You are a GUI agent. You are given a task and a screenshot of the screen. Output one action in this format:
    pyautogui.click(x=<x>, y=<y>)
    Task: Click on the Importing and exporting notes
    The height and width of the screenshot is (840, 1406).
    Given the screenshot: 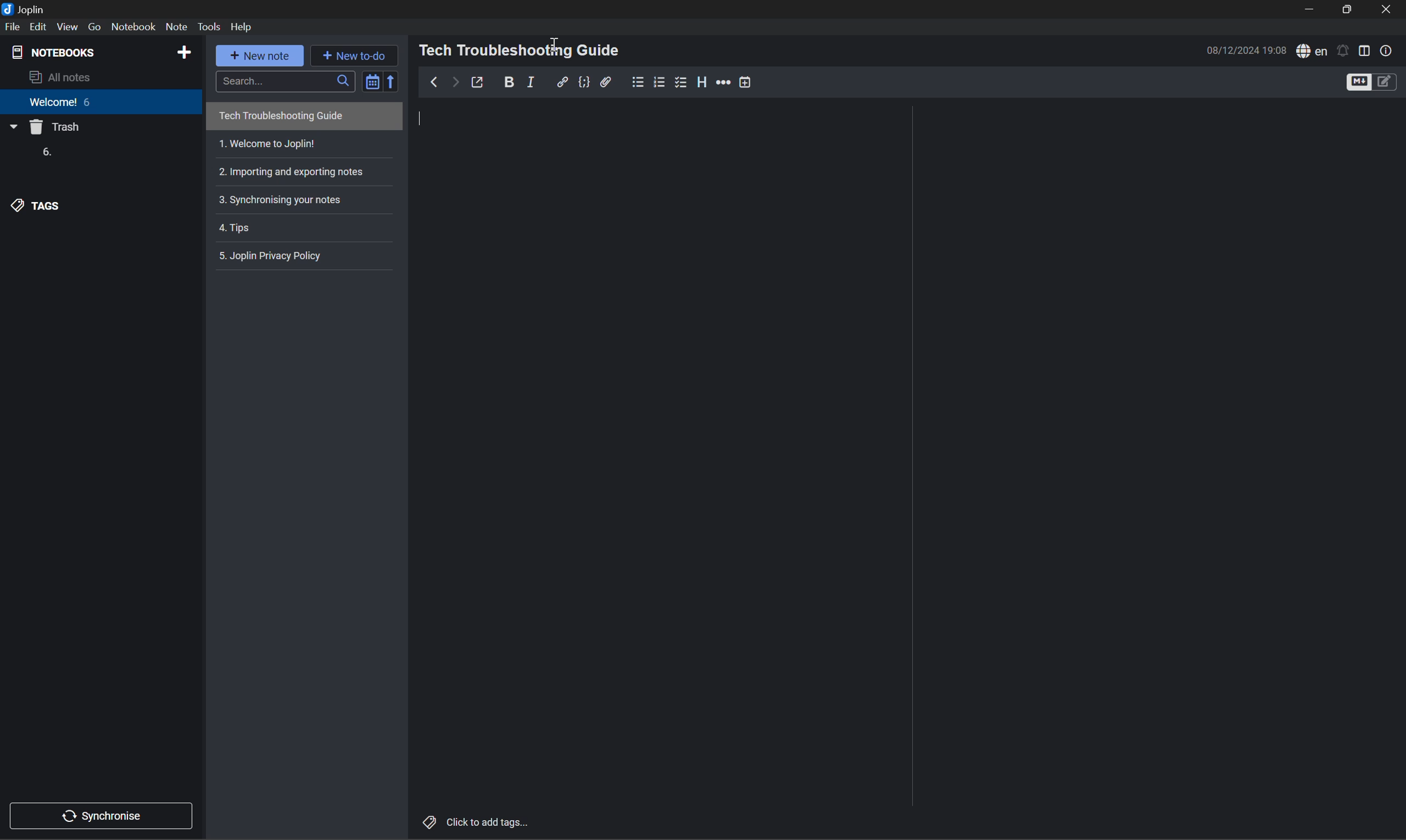 What is the action you would take?
    pyautogui.click(x=296, y=171)
    